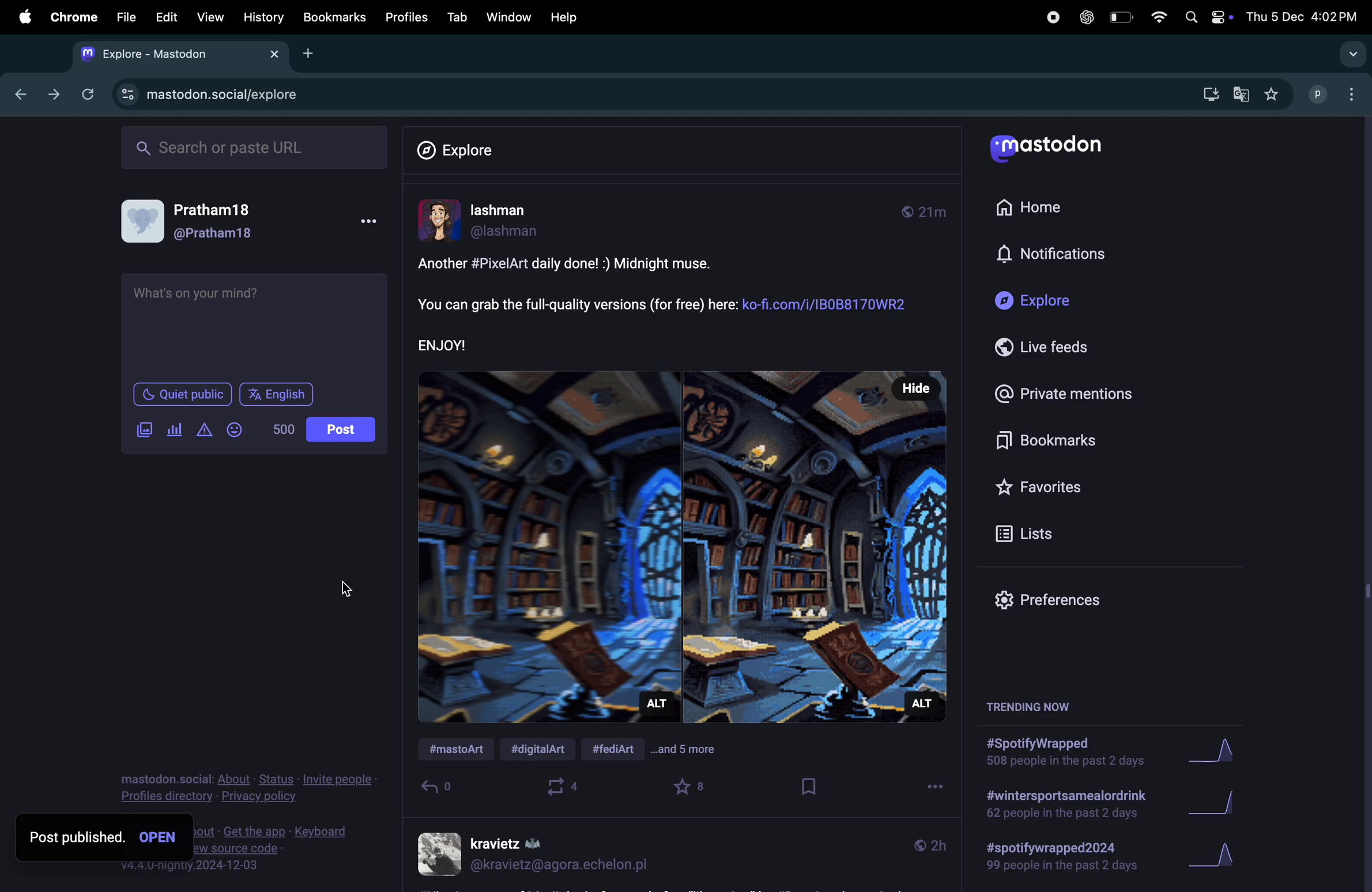 Image resolution: width=1372 pixels, height=892 pixels. I want to click on open, so click(158, 836).